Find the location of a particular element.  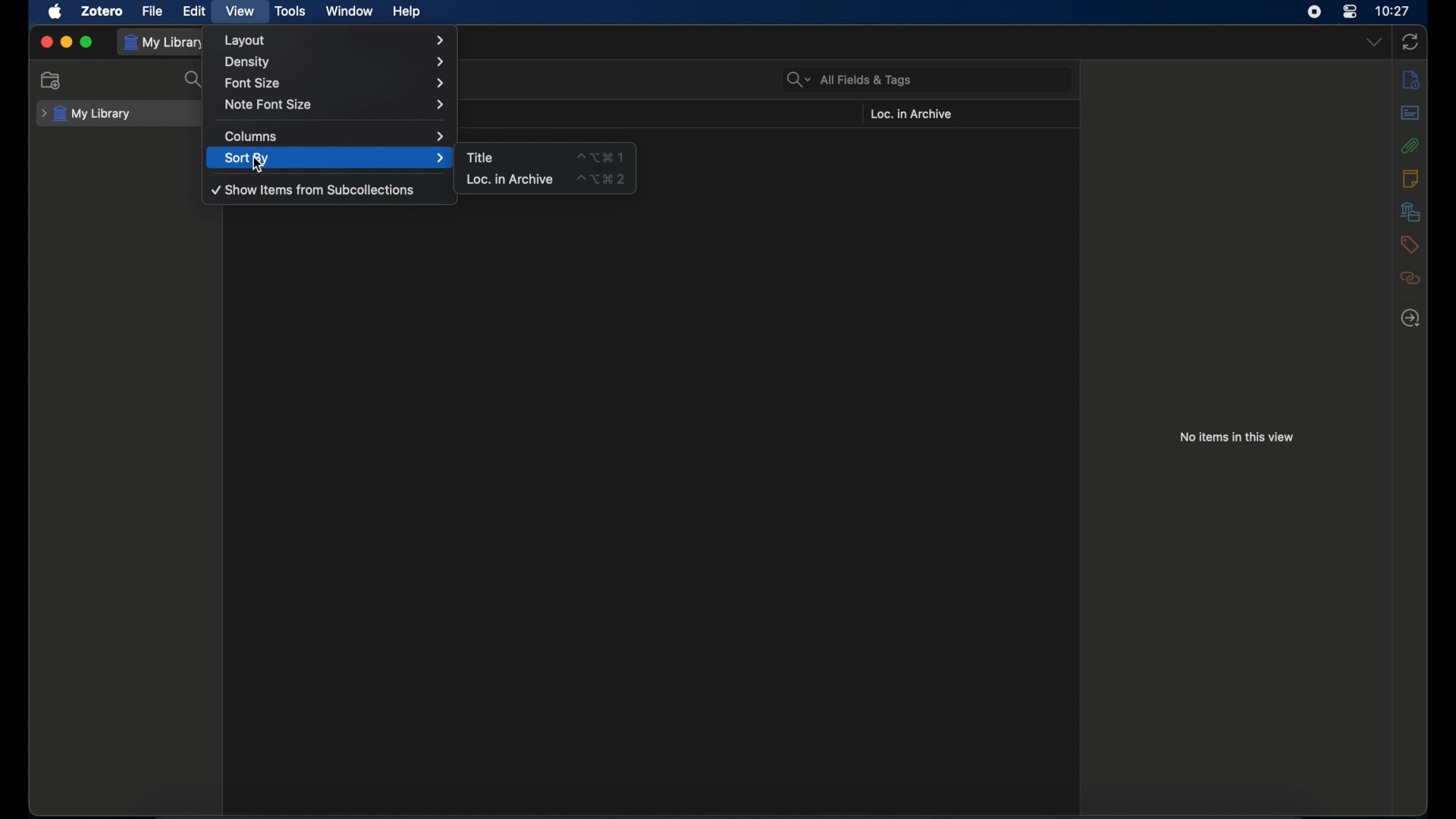

help is located at coordinates (408, 12).